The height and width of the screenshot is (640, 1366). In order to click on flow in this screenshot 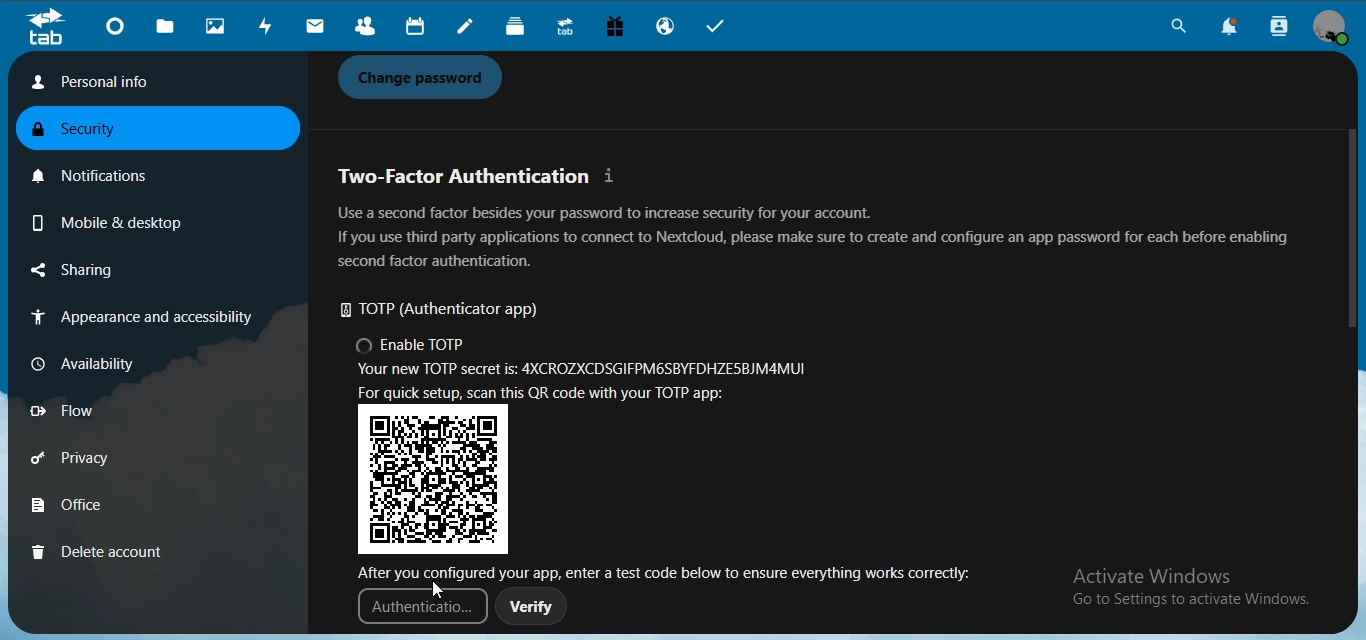, I will do `click(94, 411)`.